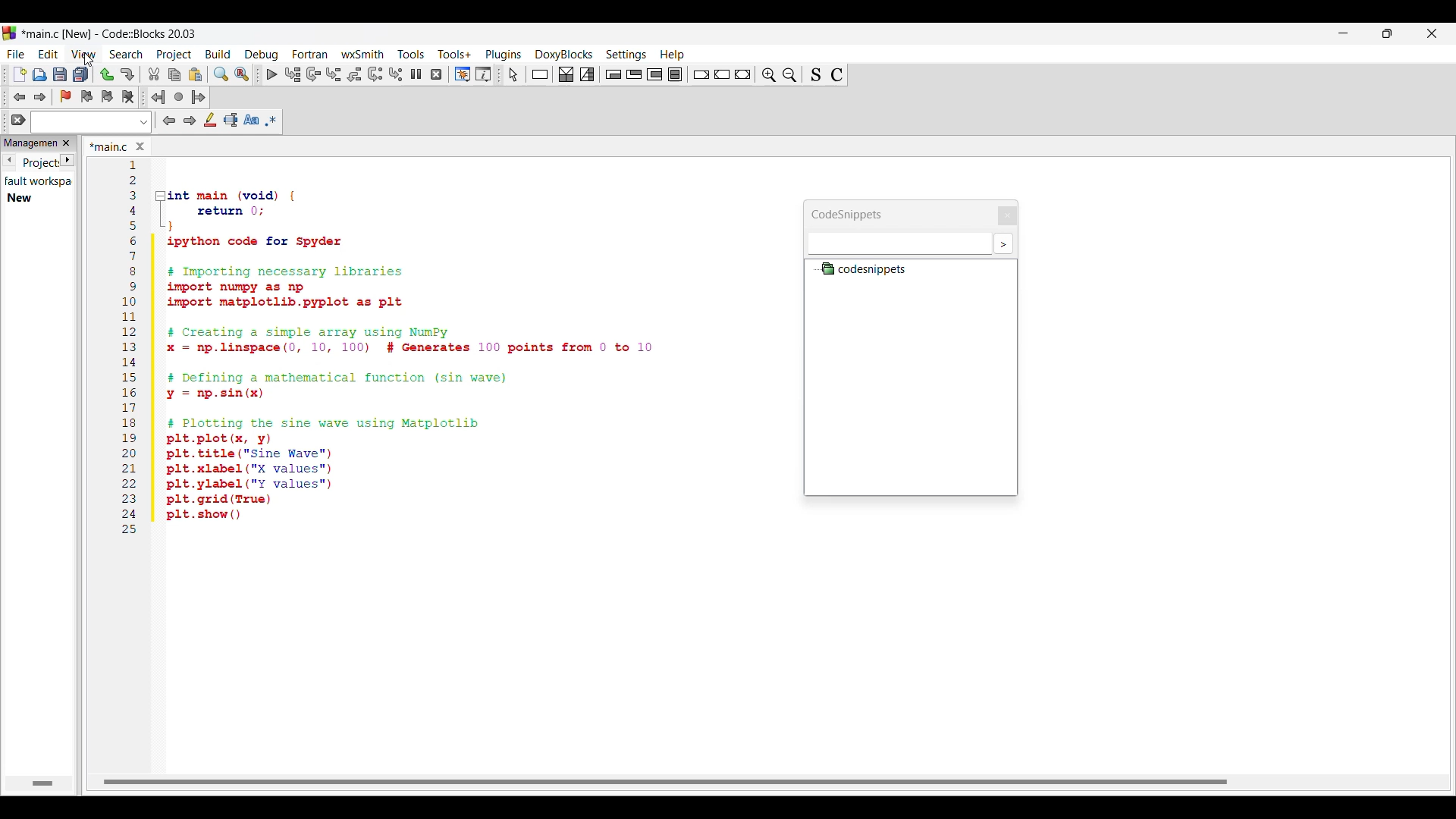 The image size is (1456, 819). I want to click on Jump back, so click(158, 97).